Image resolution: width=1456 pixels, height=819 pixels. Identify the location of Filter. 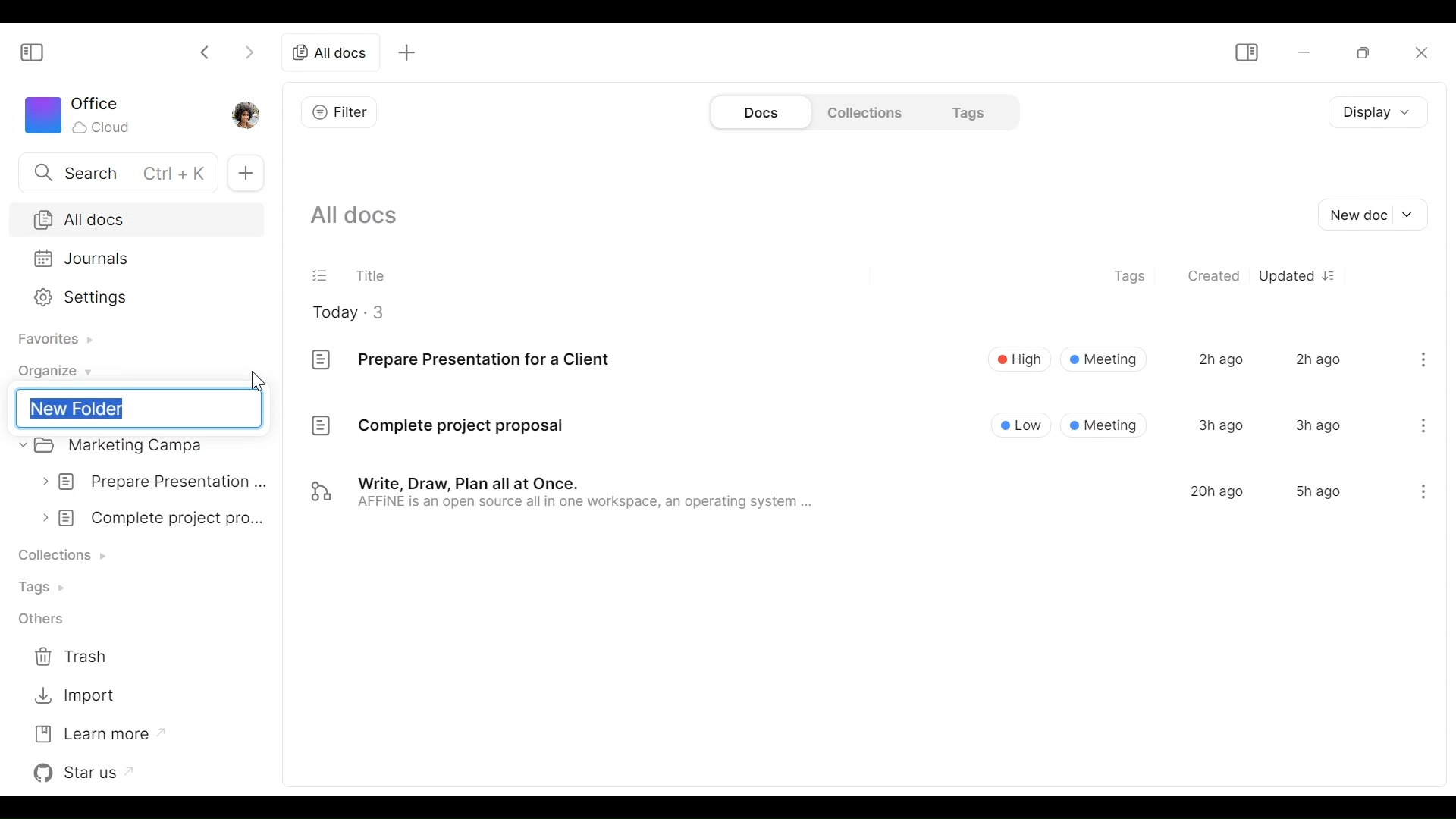
(340, 111).